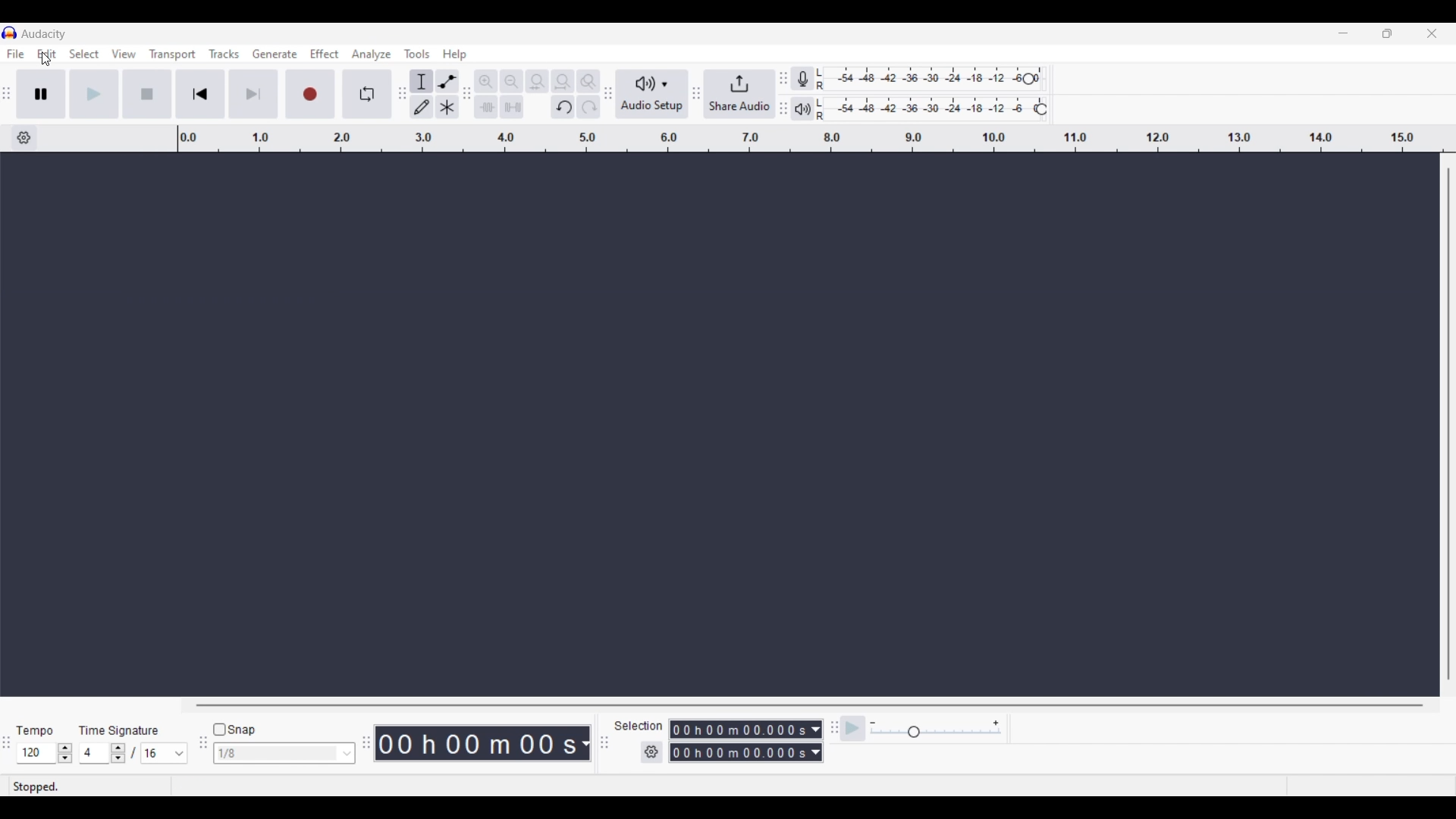 The image size is (1456, 819). Describe the element at coordinates (36, 753) in the screenshot. I see `Selected tempo` at that location.